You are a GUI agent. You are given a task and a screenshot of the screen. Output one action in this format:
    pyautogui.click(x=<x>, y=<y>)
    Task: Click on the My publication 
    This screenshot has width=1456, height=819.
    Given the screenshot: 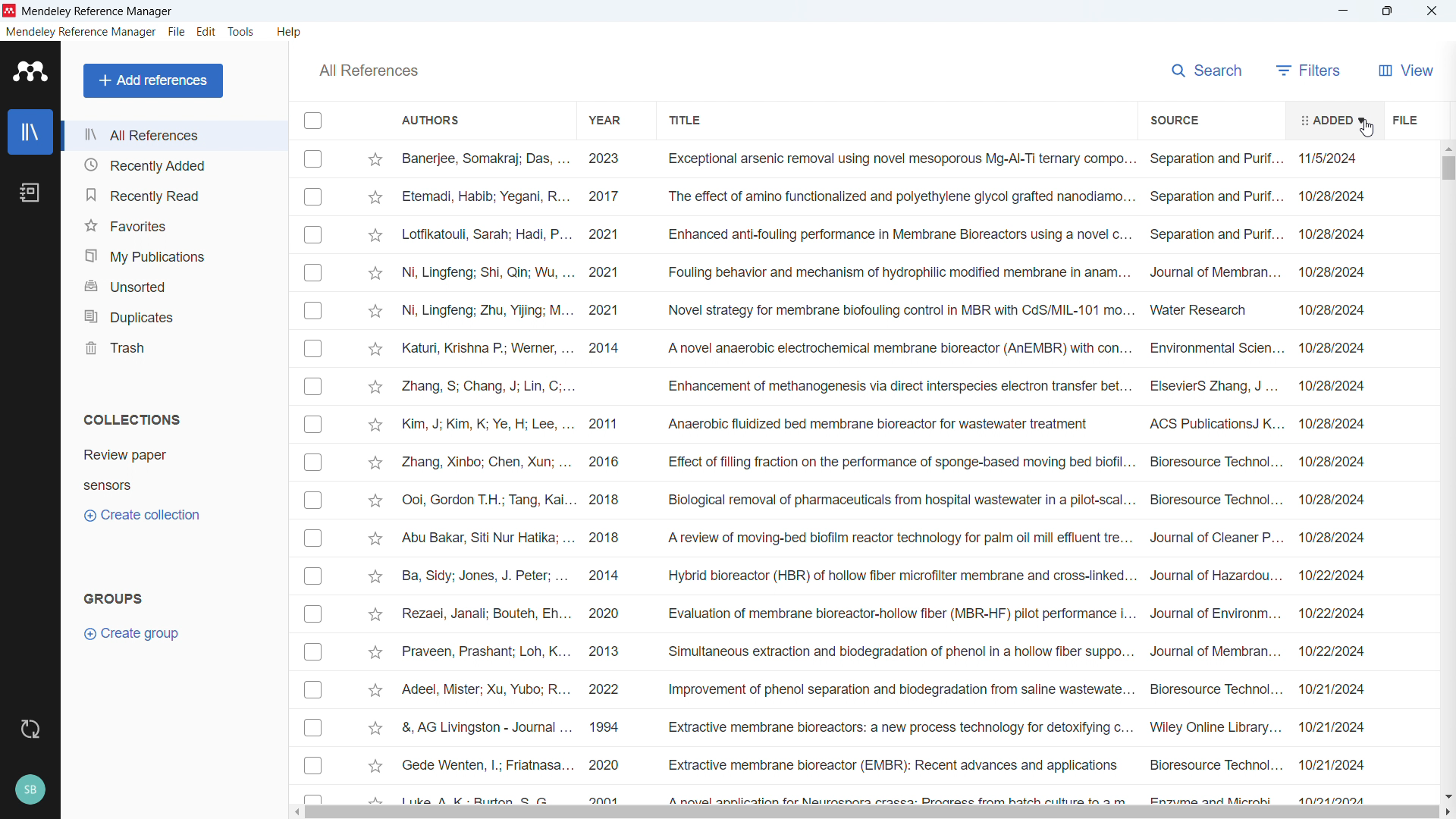 What is the action you would take?
    pyautogui.click(x=173, y=253)
    